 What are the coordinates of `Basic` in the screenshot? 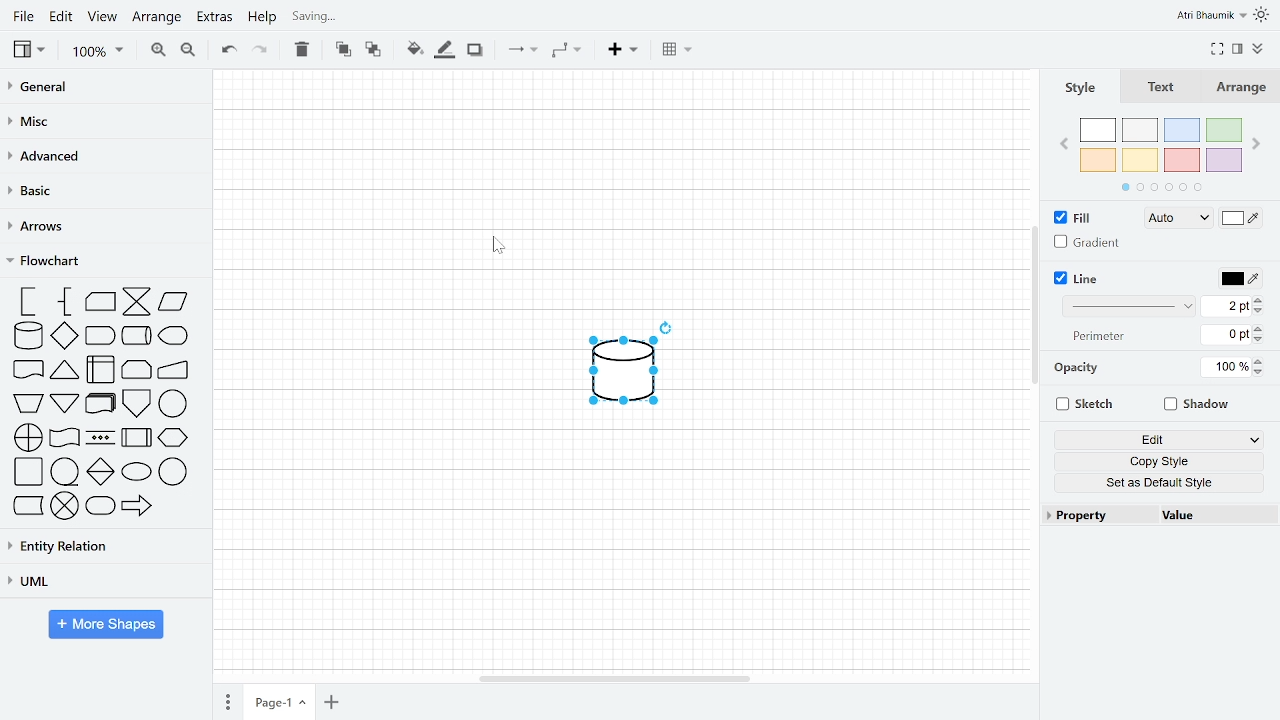 It's located at (102, 191).